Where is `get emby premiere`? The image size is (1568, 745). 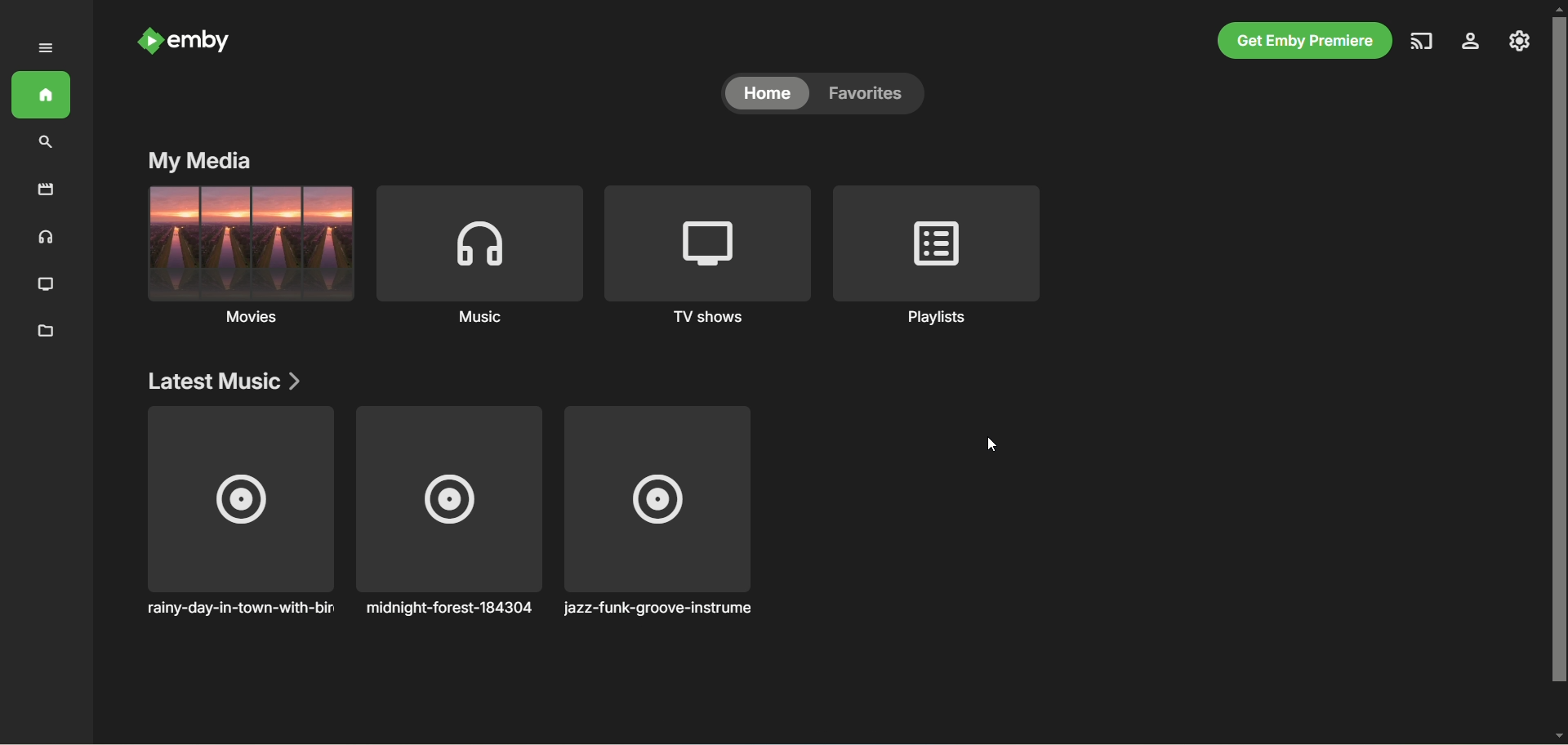
get emby premiere is located at coordinates (1305, 40).